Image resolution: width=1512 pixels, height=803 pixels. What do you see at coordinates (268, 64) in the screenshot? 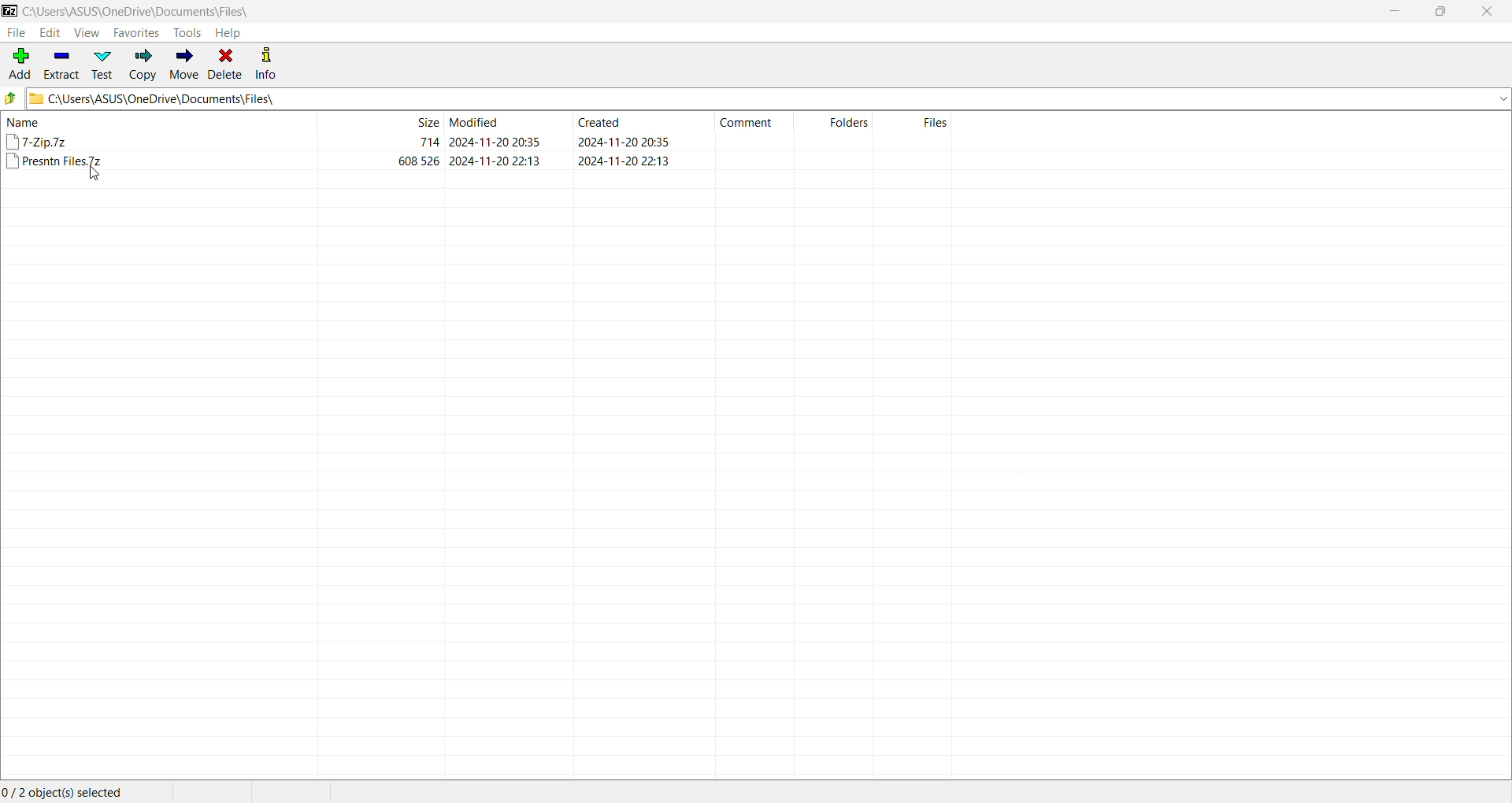
I see `Info` at bounding box center [268, 64].